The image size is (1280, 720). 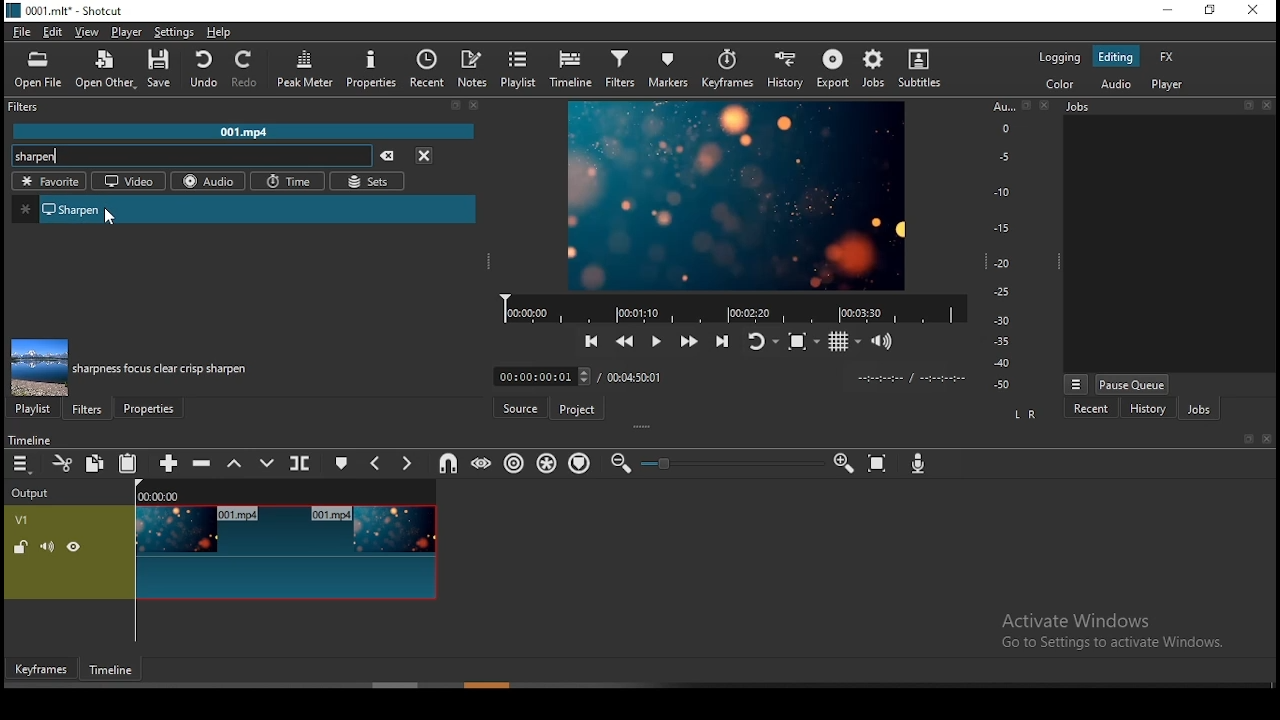 What do you see at coordinates (68, 10) in the screenshot?
I see `0001. mit" - Shotcut` at bounding box center [68, 10].